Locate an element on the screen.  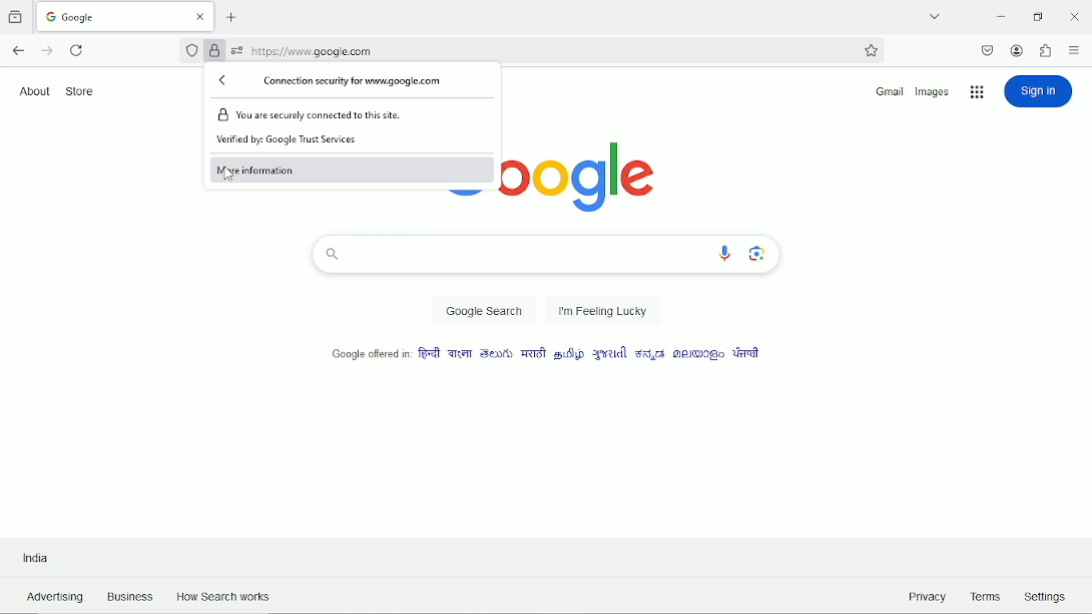
Connection security for www.google.com is located at coordinates (355, 80).